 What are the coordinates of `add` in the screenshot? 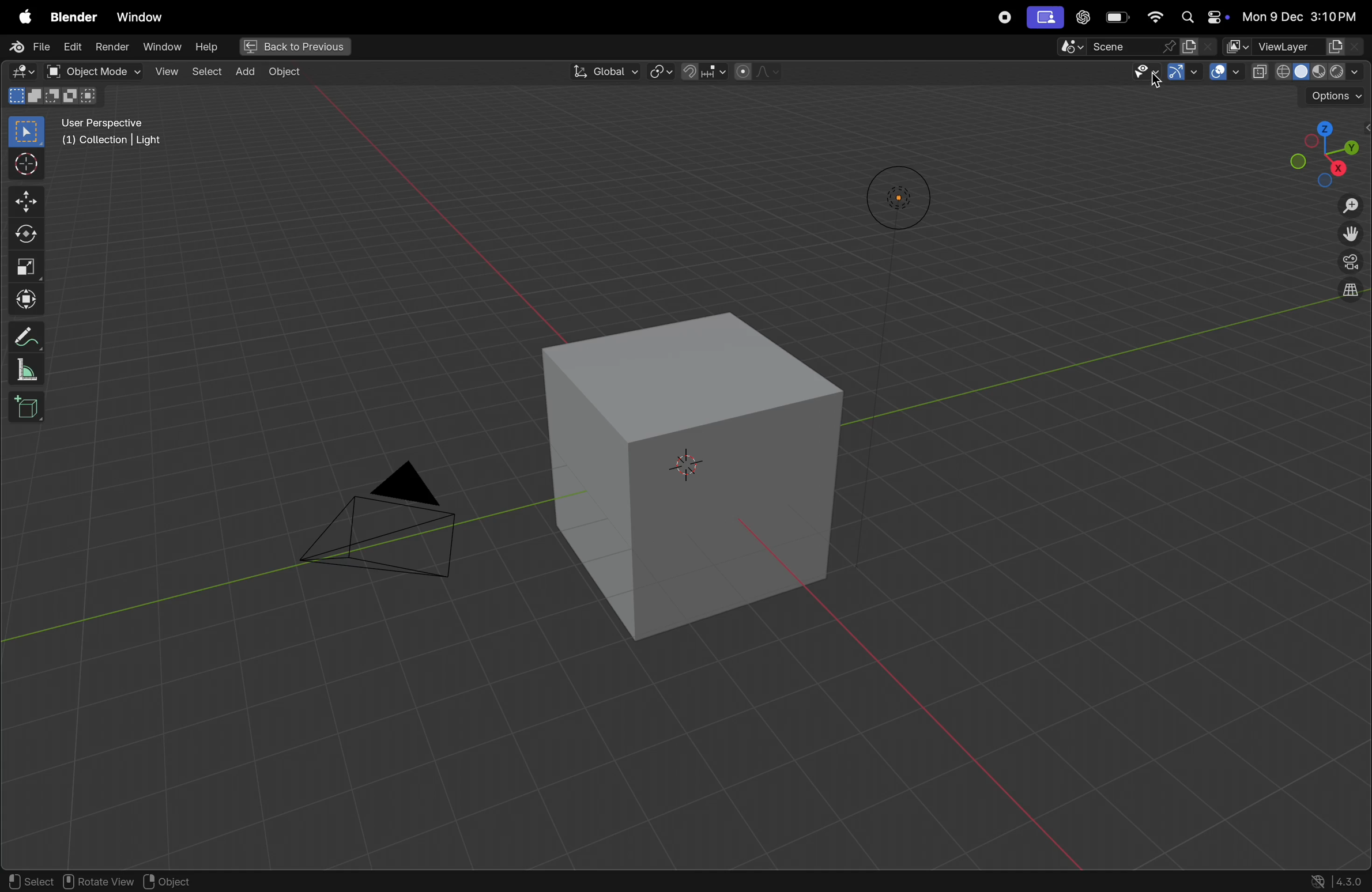 It's located at (244, 73).